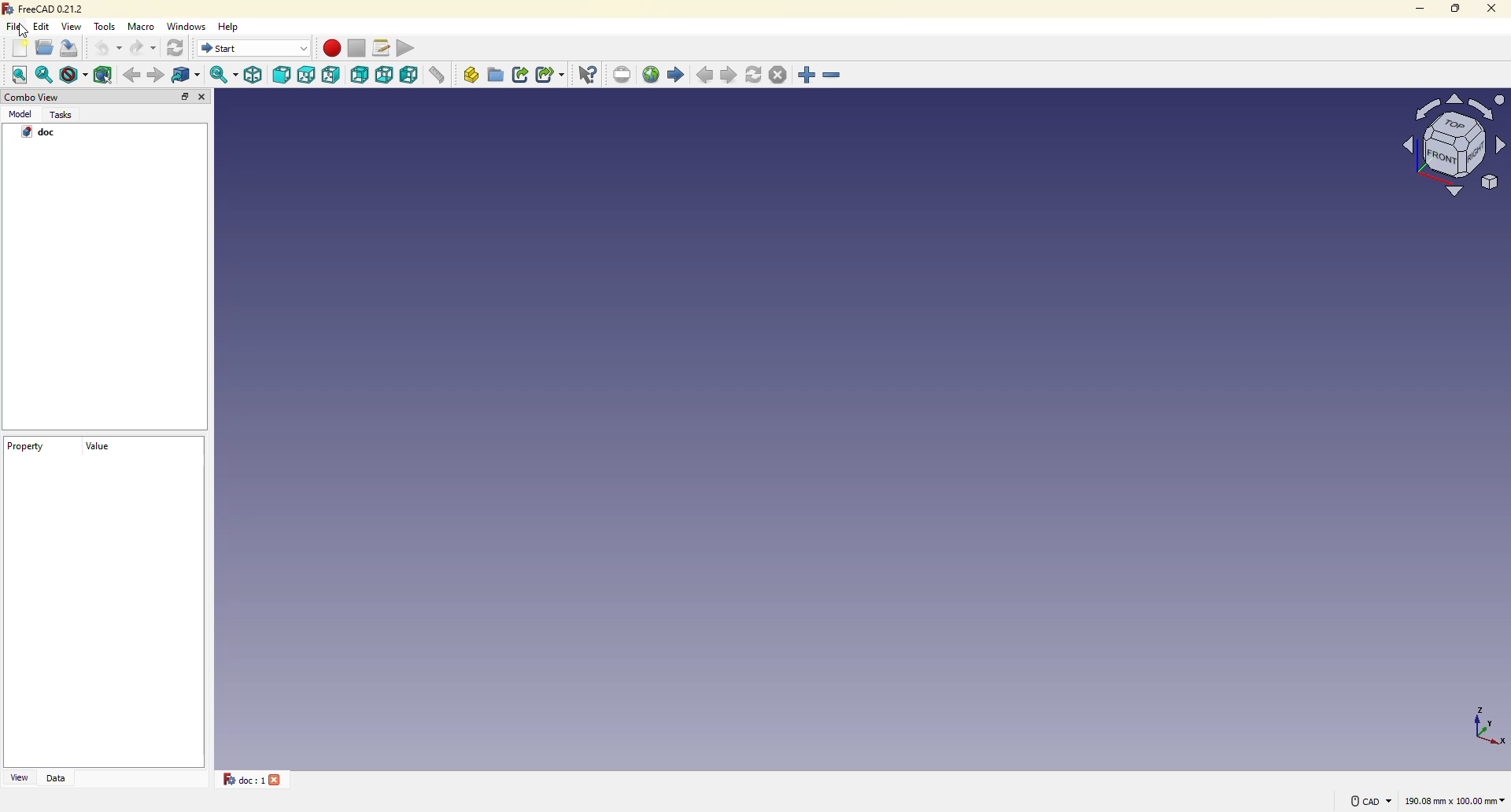 This screenshot has width=1511, height=812. What do you see at coordinates (382, 46) in the screenshot?
I see `macros` at bounding box center [382, 46].